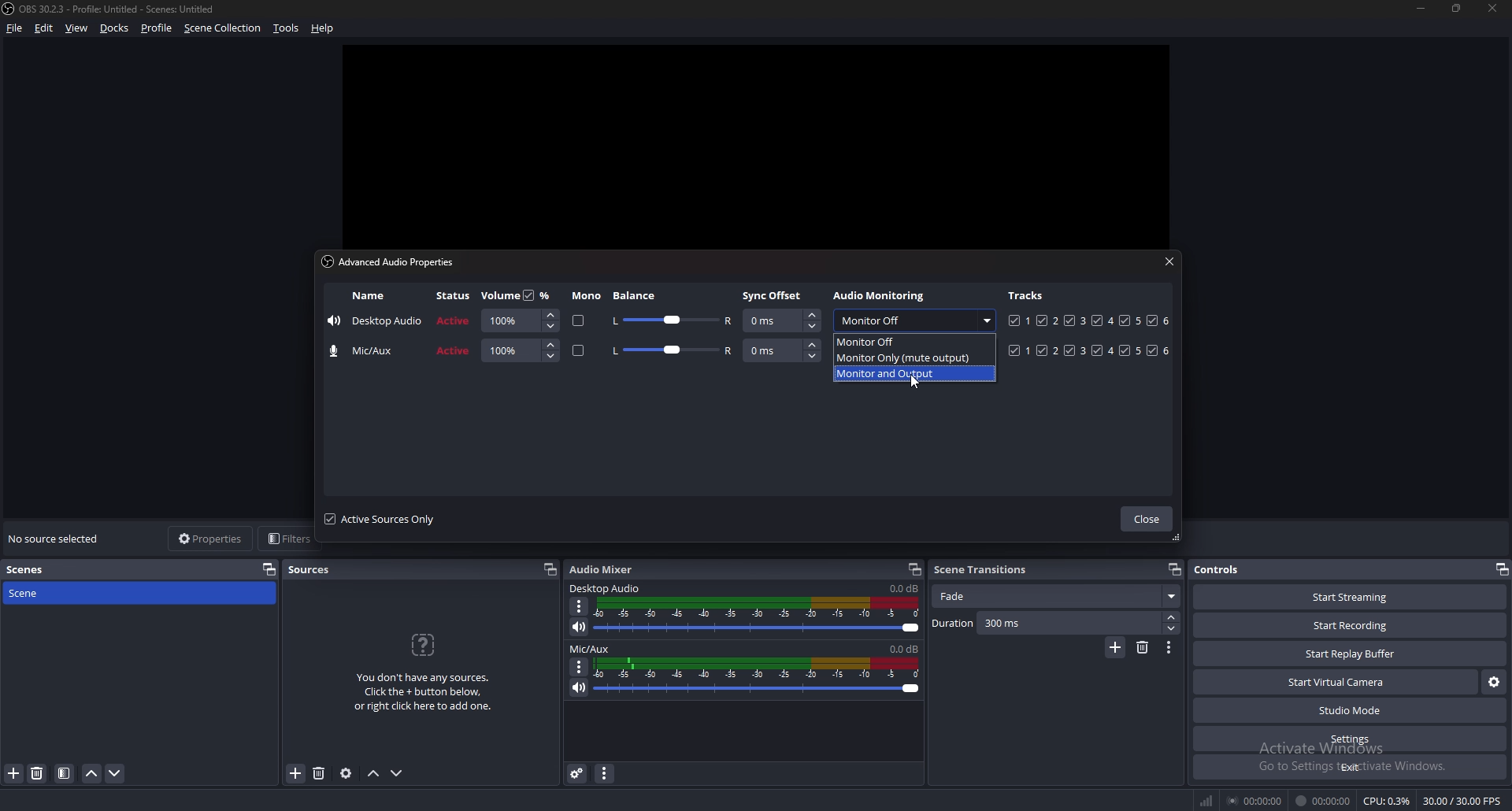 This screenshot has width=1512, height=811. Describe the element at coordinates (1045, 624) in the screenshot. I see `duration` at that location.